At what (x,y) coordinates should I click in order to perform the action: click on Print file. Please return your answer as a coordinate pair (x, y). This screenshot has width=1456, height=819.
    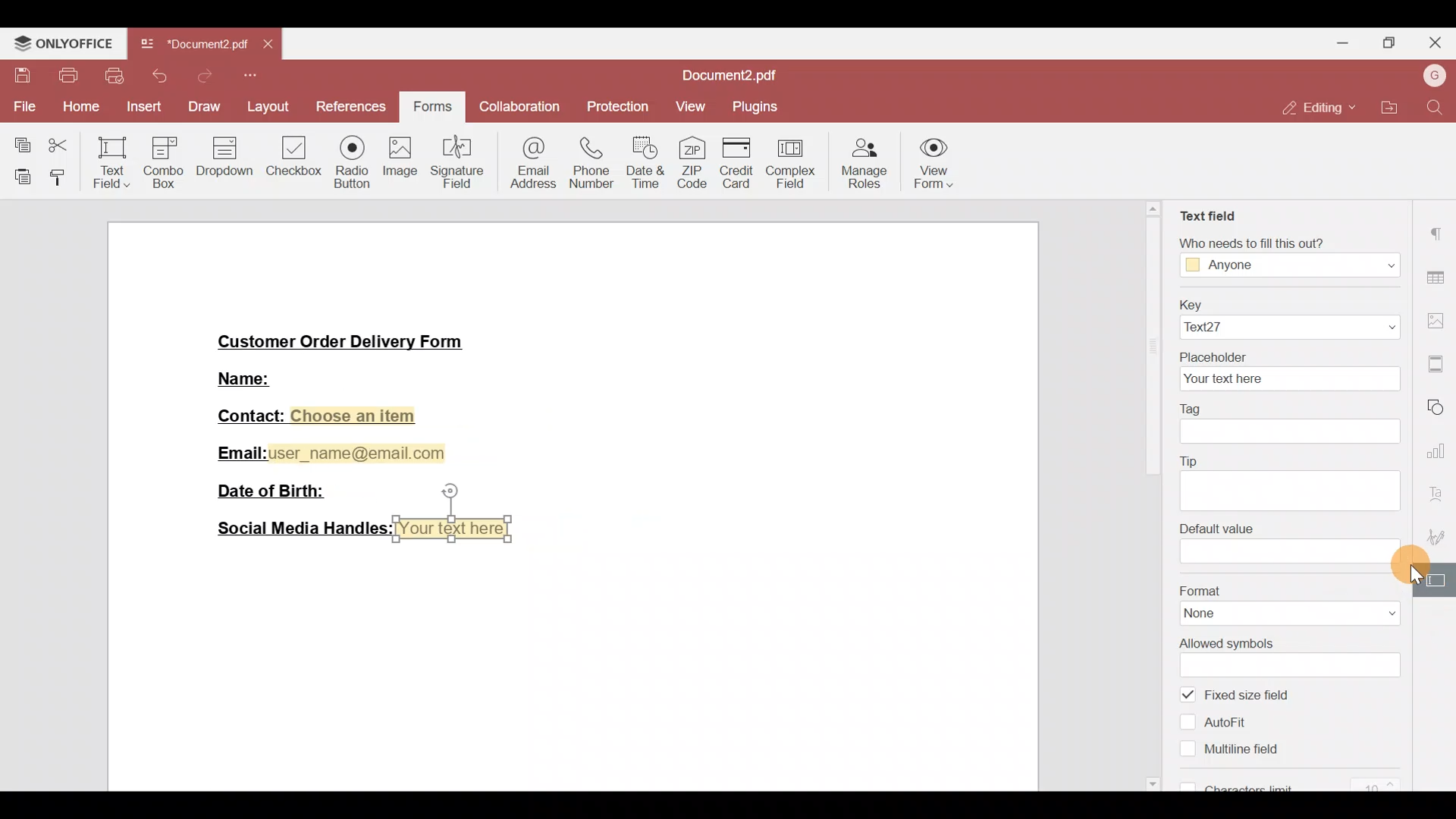
    Looking at the image, I should click on (66, 76).